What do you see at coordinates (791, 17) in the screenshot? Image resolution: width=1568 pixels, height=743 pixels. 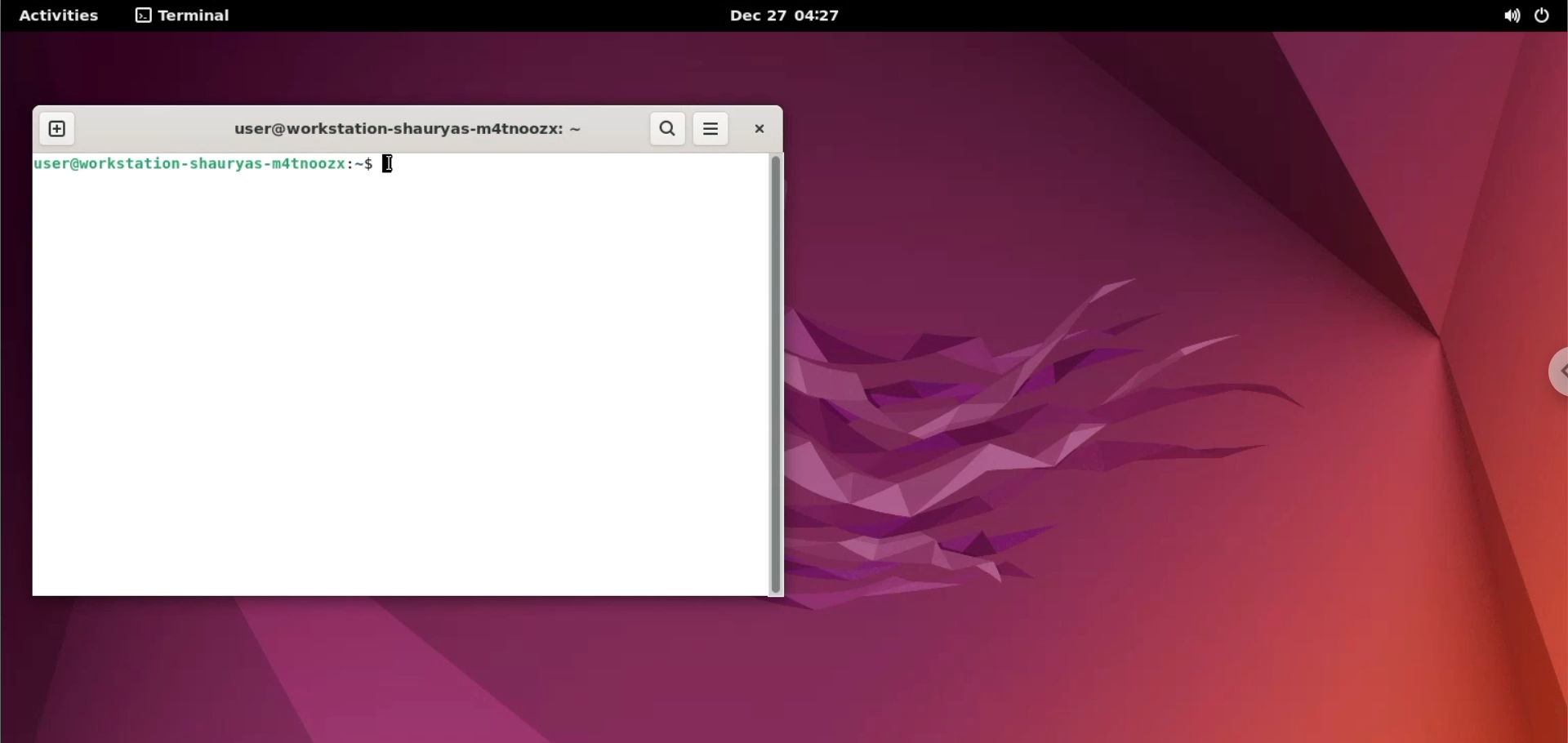 I see `Dec 27 04:27` at bounding box center [791, 17].